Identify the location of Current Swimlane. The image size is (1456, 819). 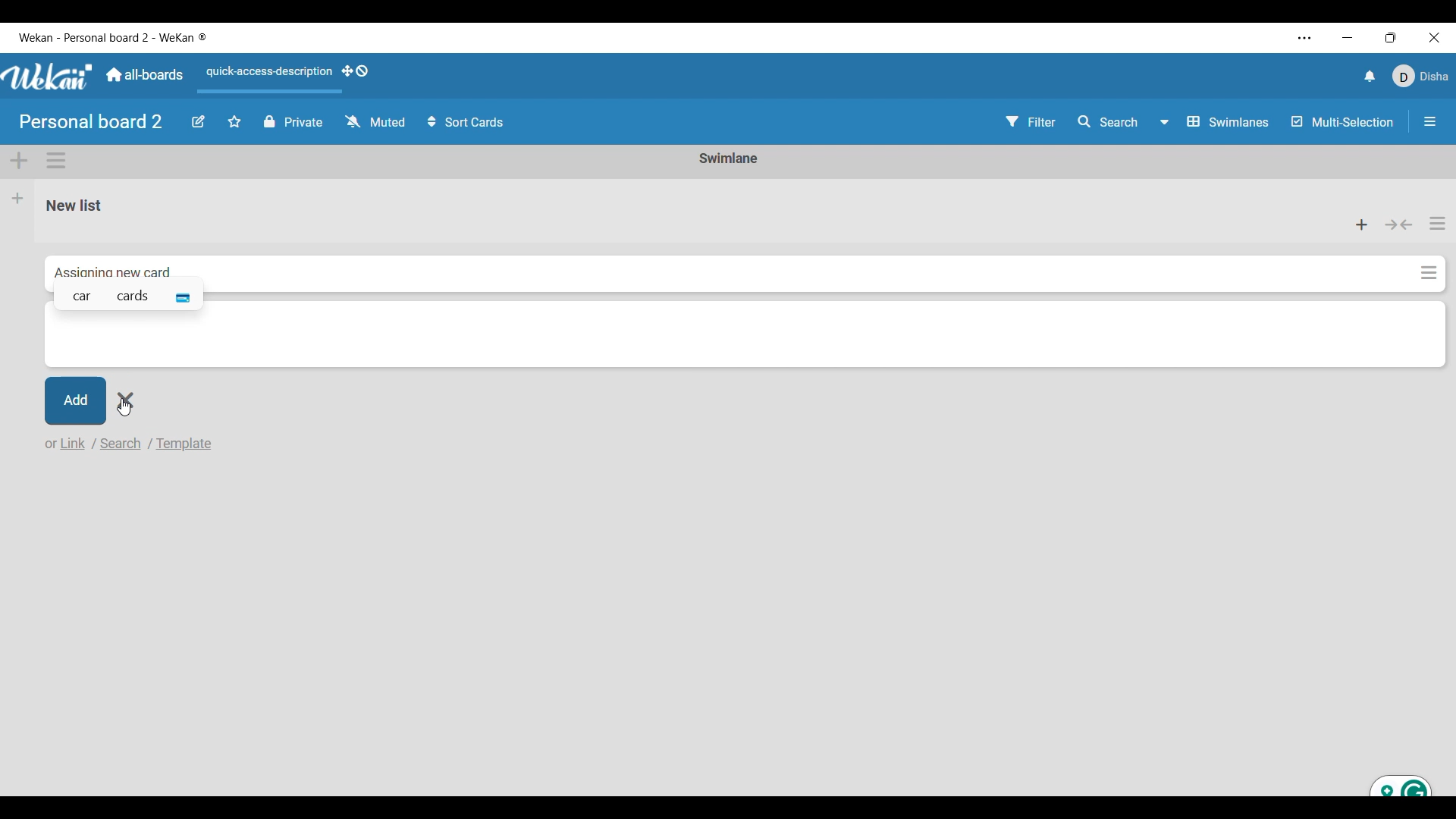
(729, 158).